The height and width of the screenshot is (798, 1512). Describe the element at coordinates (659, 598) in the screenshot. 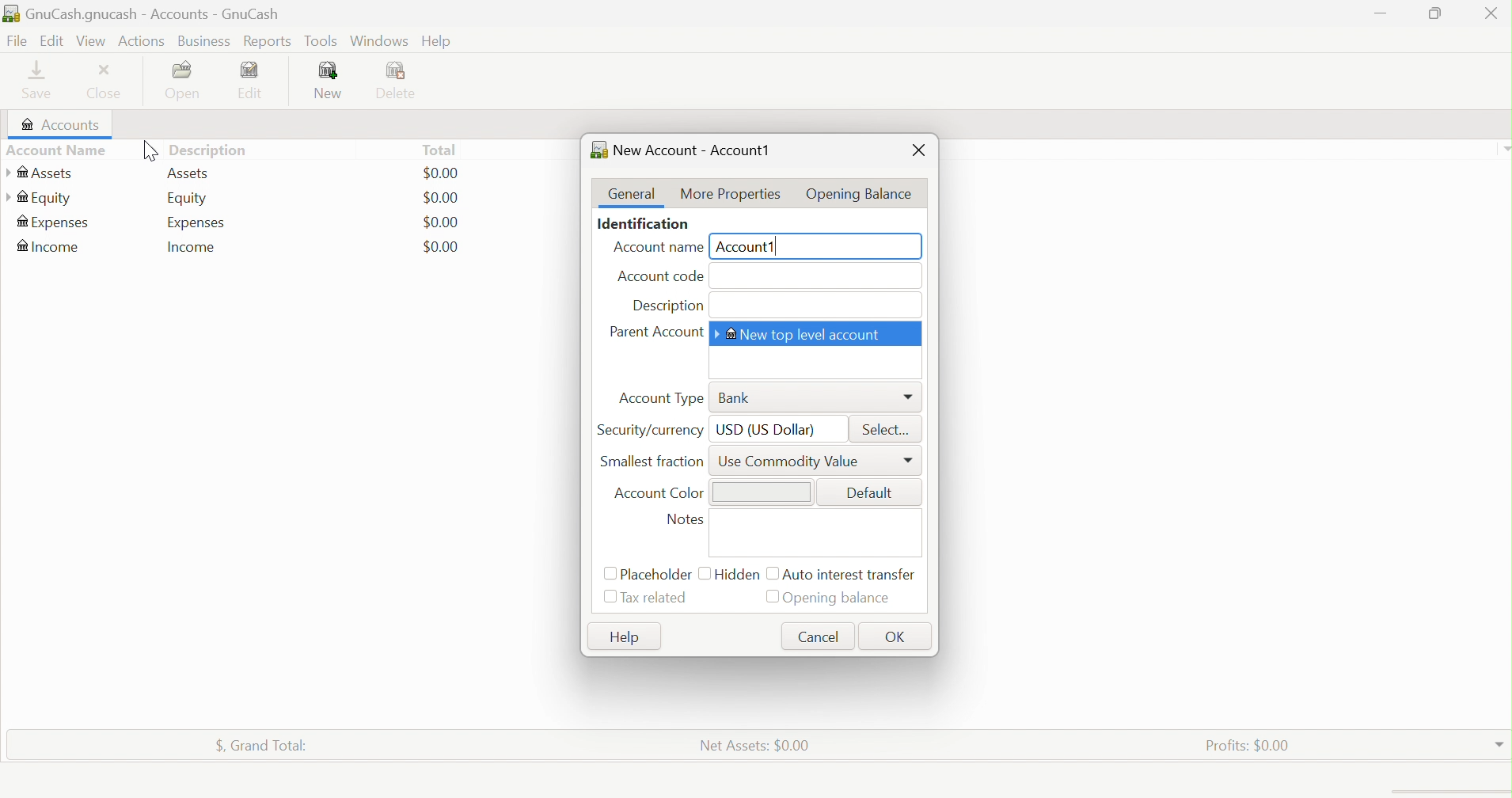

I see `Tax related` at that location.